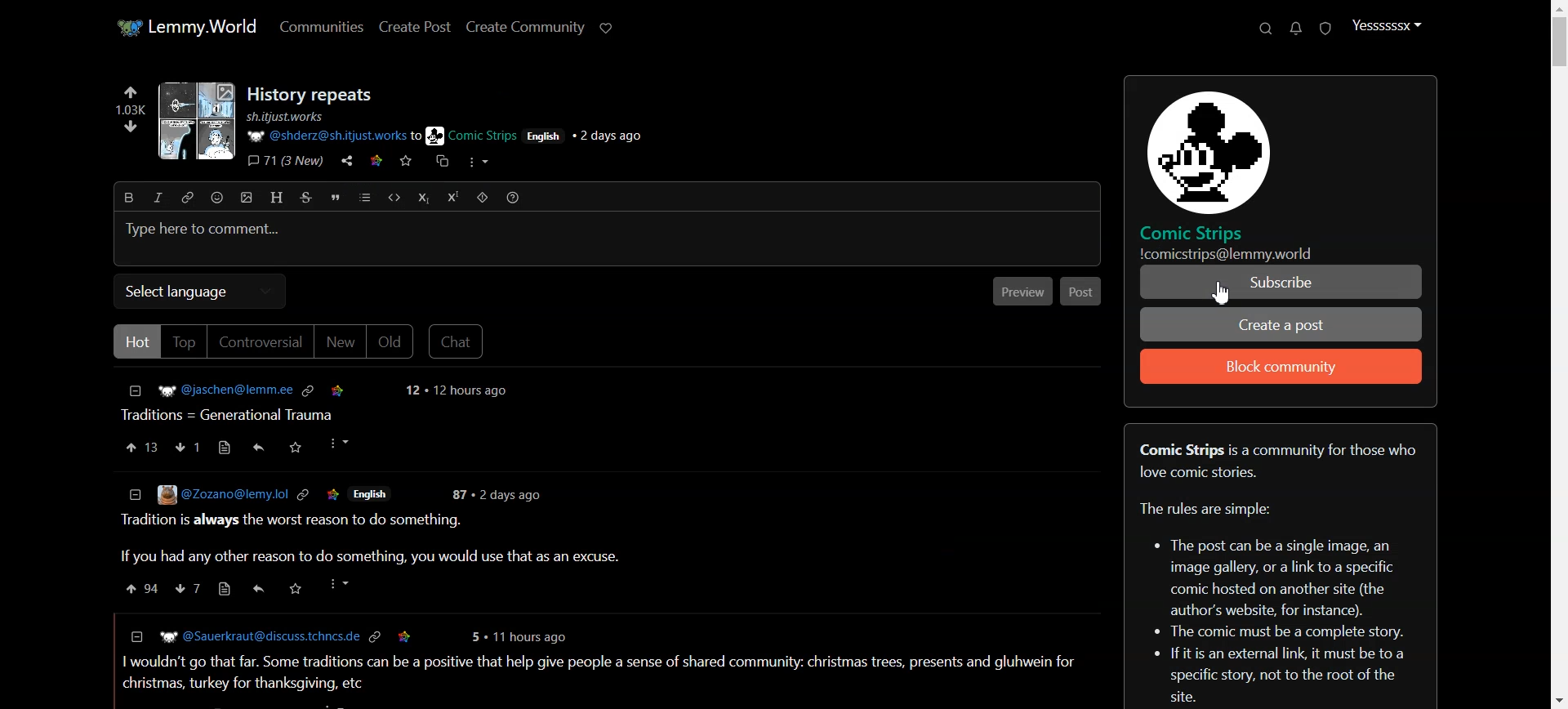 The width and height of the screenshot is (1568, 709). What do you see at coordinates (285, 162) in the screenshot?
I see `71(3 New)` at bounding box center [285, 162].